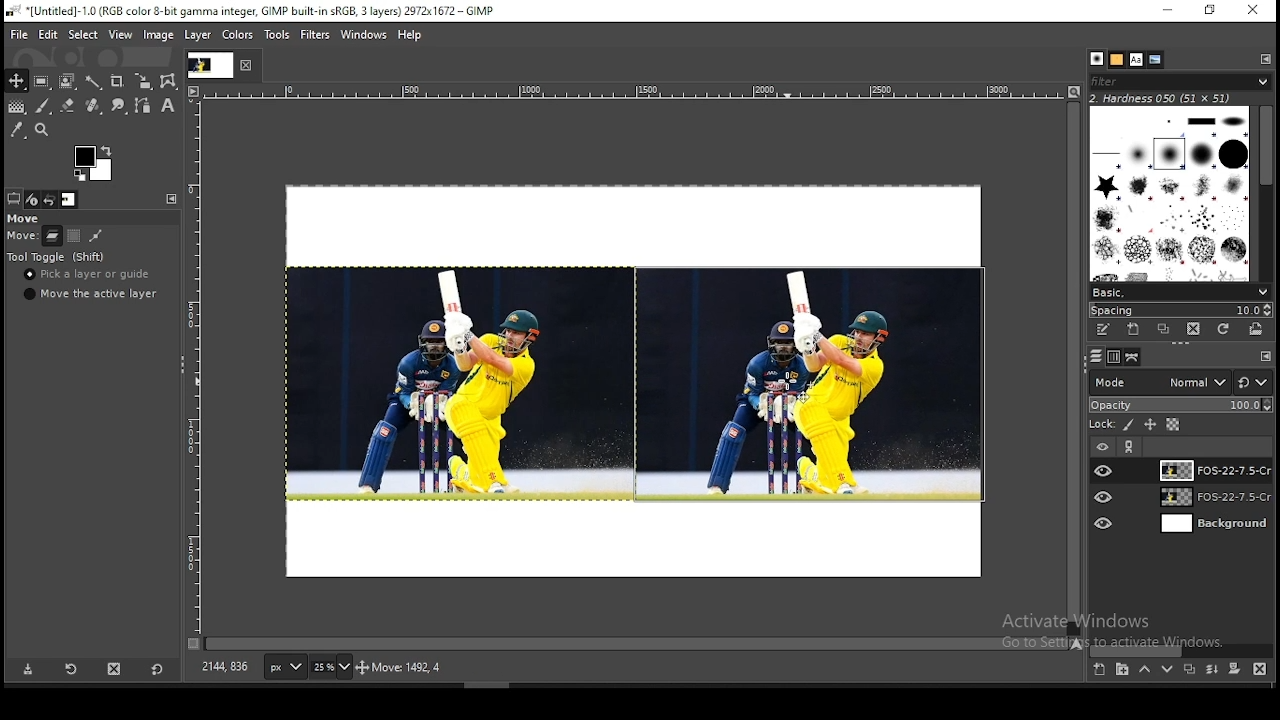 This screenshot has width=1280, height=720. Describe the element at coordinates (1133, 329) in the screenshot. I see `create a new brush` at that location.